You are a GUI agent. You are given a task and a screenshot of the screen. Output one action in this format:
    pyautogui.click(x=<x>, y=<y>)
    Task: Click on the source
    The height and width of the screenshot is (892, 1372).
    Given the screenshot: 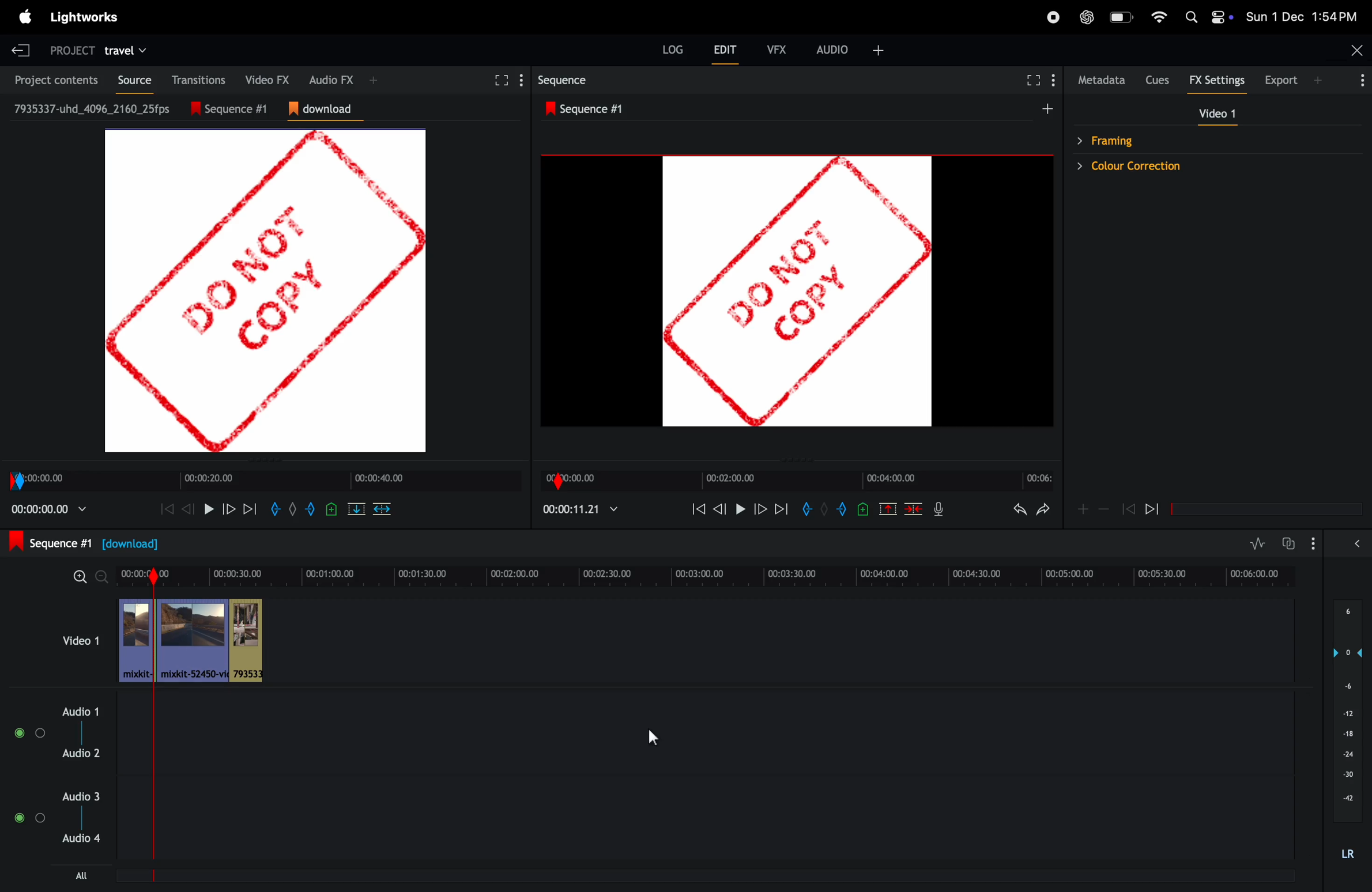 What is the action you would take?
    pyautogui.click(x=130, y=80)
    